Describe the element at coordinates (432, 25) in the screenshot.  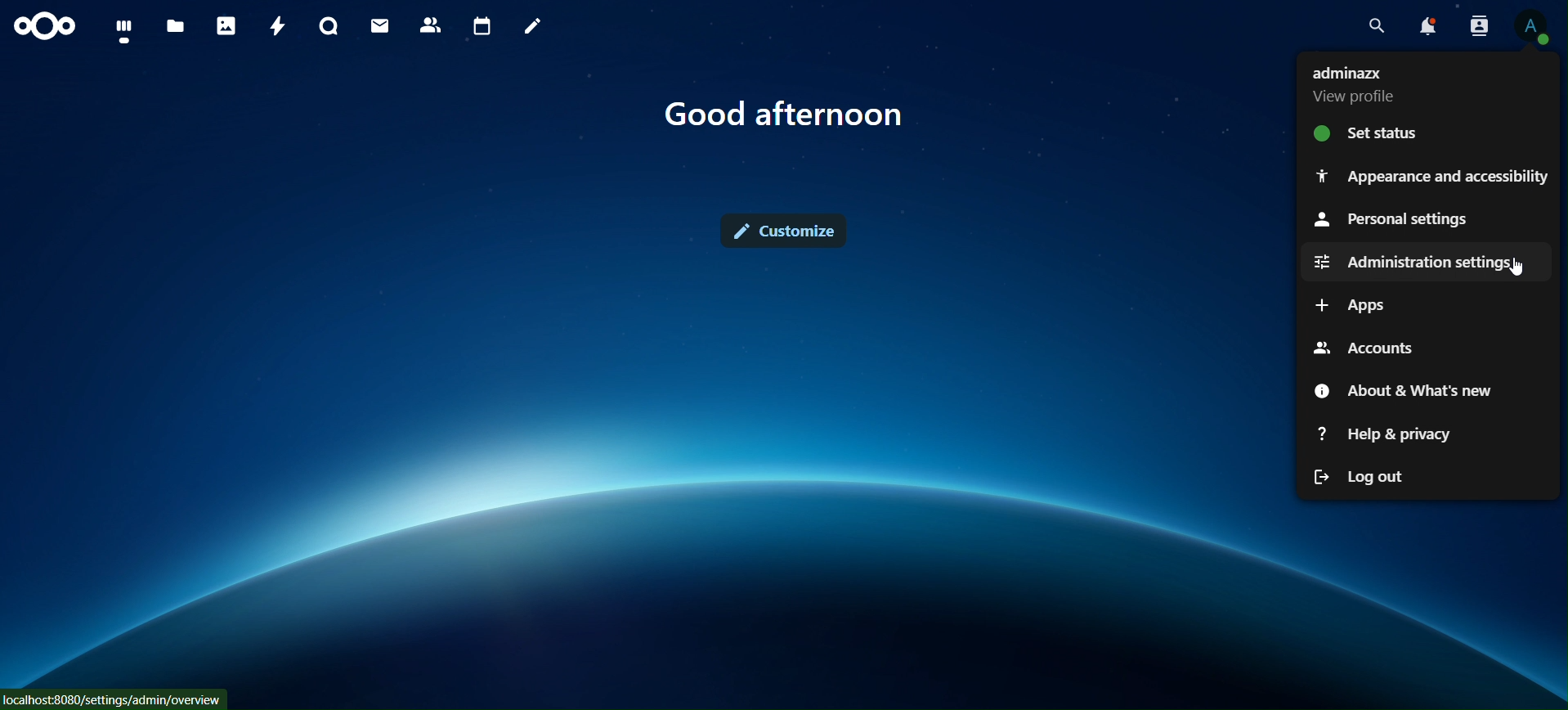
I see `contact` at that location.